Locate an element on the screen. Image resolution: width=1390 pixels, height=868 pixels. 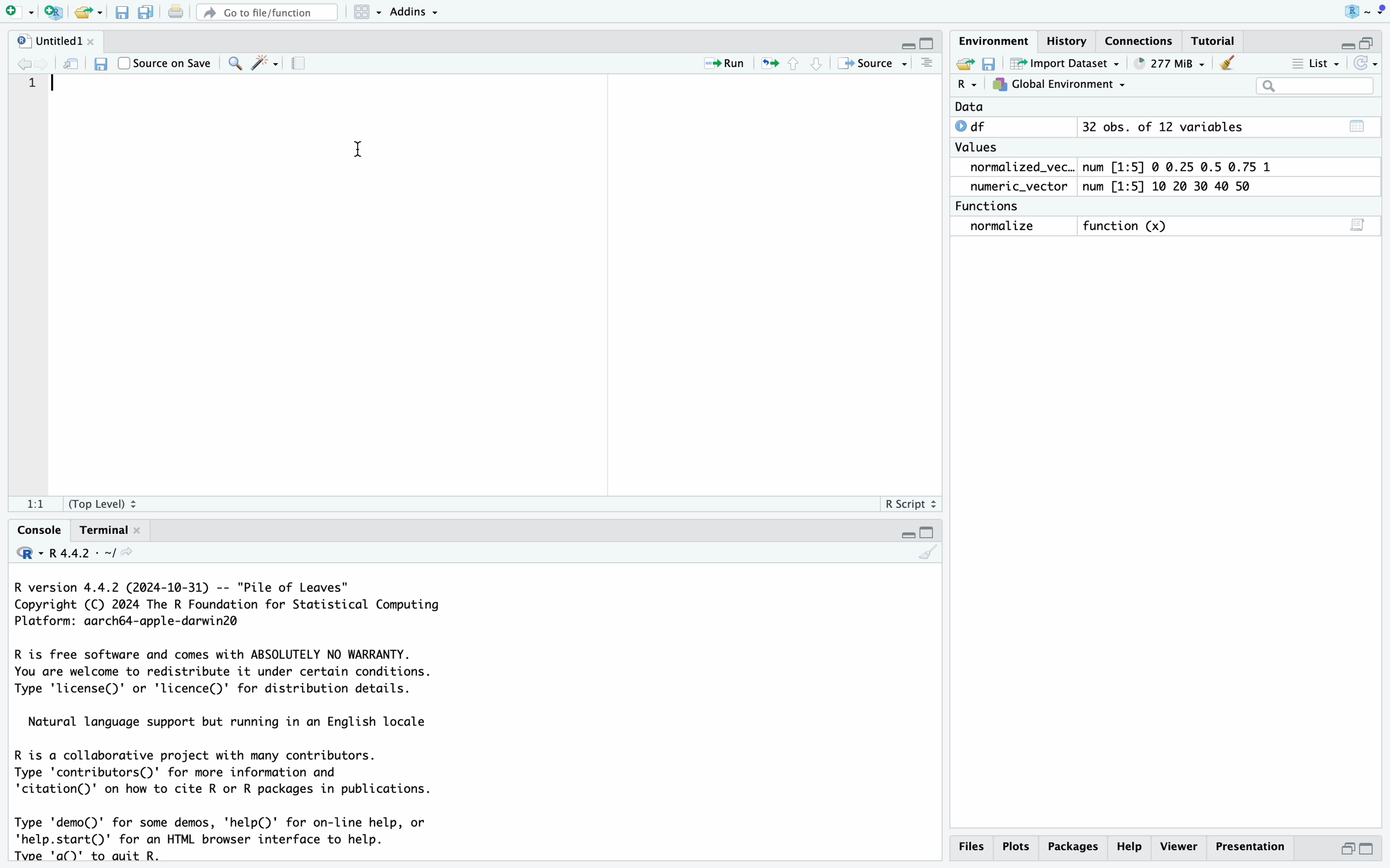
search bar is located at coordinates (1311, 85).